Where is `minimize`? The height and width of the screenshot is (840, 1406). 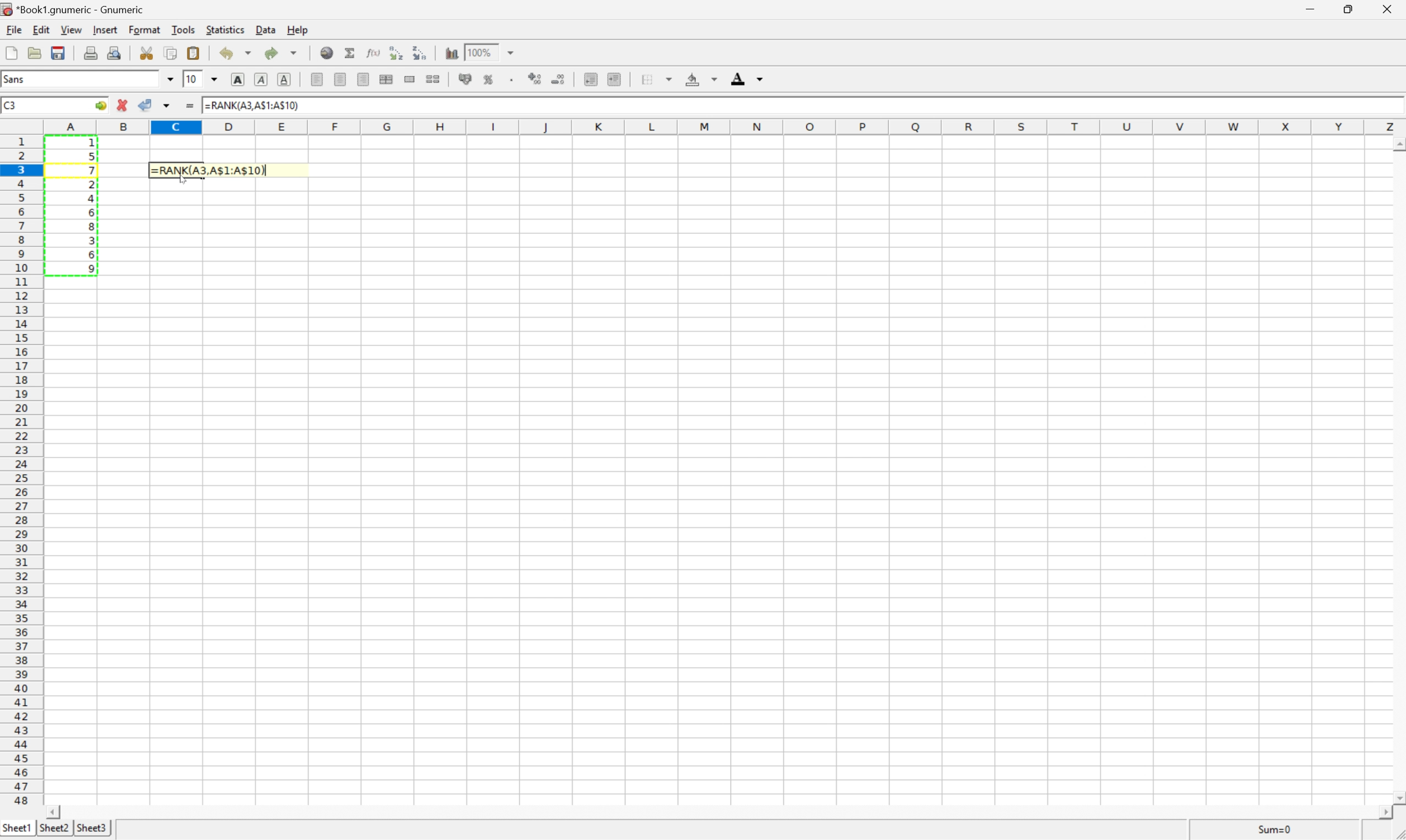 minimize is located at coordinates (1315, 10).